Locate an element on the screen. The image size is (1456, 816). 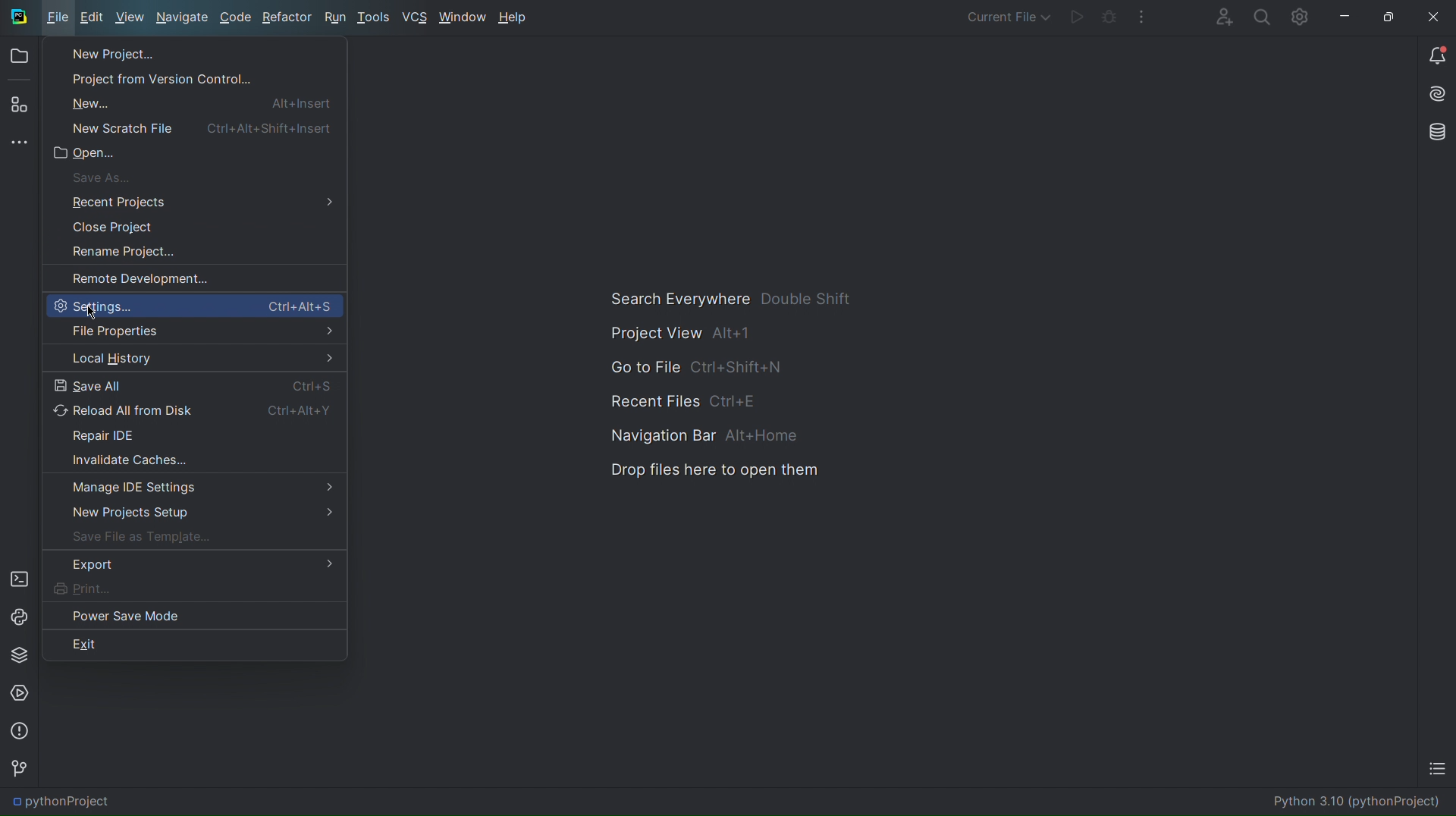
Problems is located at coordinates (20, 732).